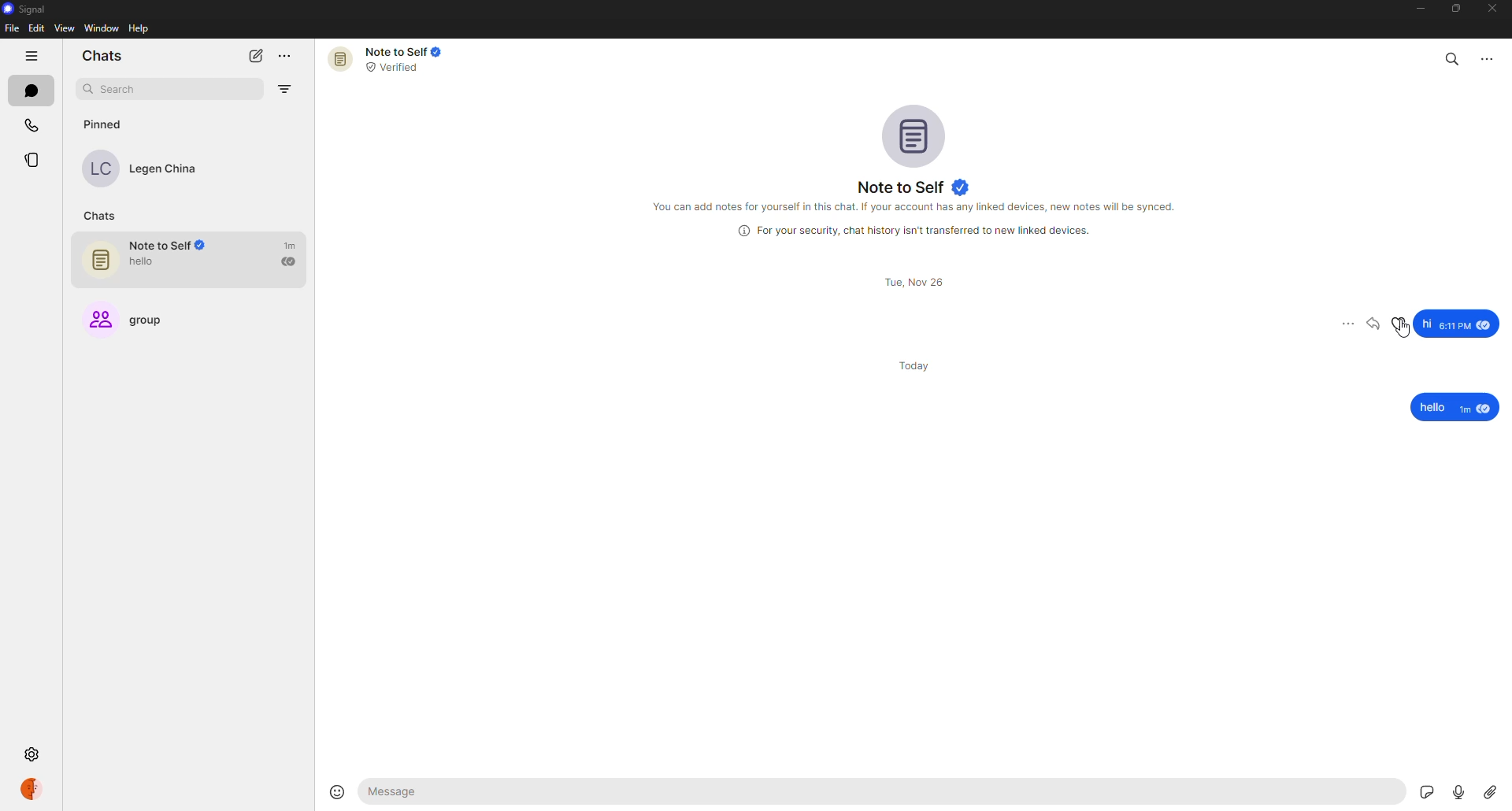 The image size is (1512, 811). Describe the element at coordinates (31, 90) in the screenshot. I see `chats` at that location.